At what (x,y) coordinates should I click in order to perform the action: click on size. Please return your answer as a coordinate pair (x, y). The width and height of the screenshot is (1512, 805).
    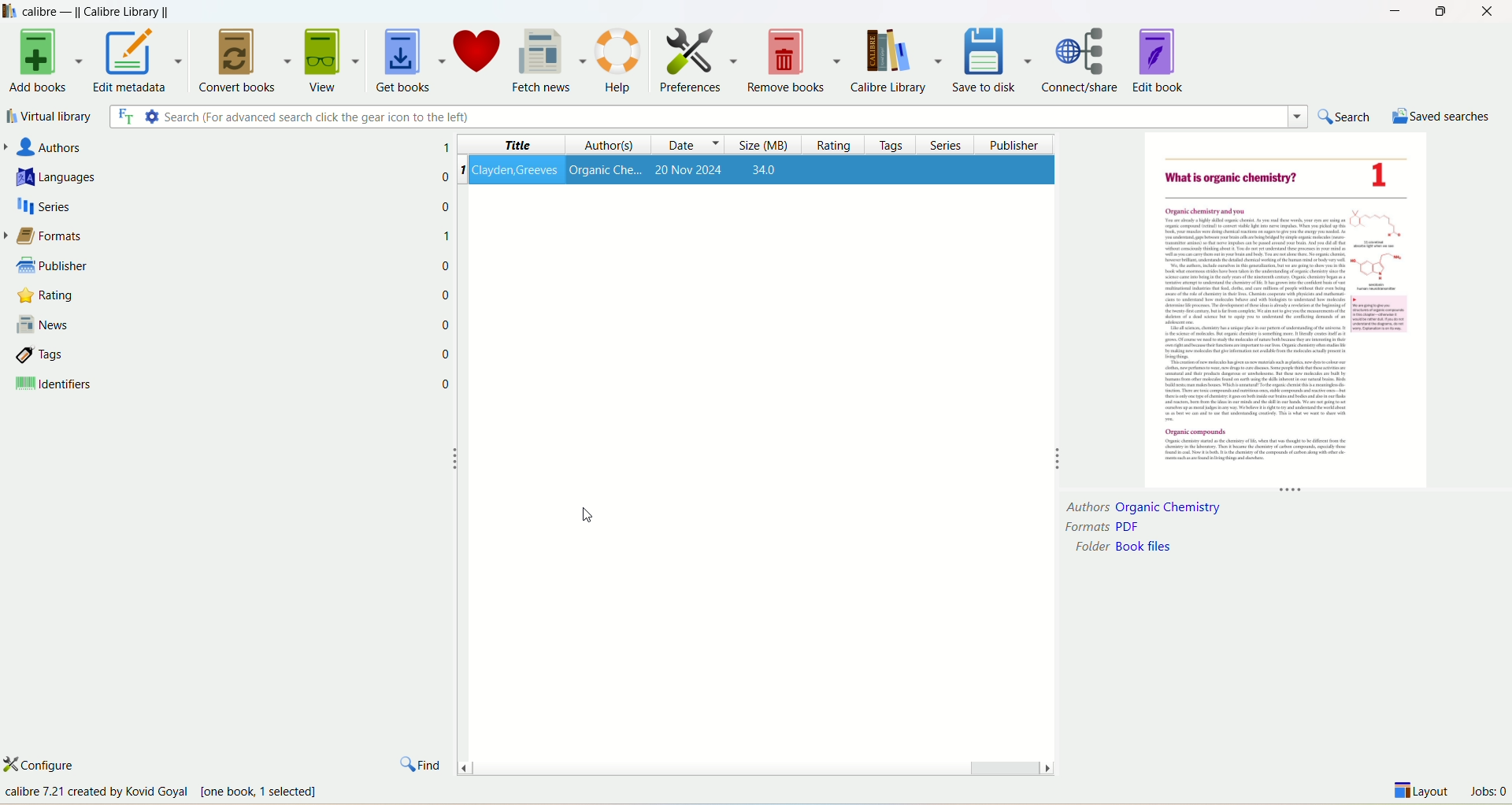
    Looking at the image, I should click on (758, 146).